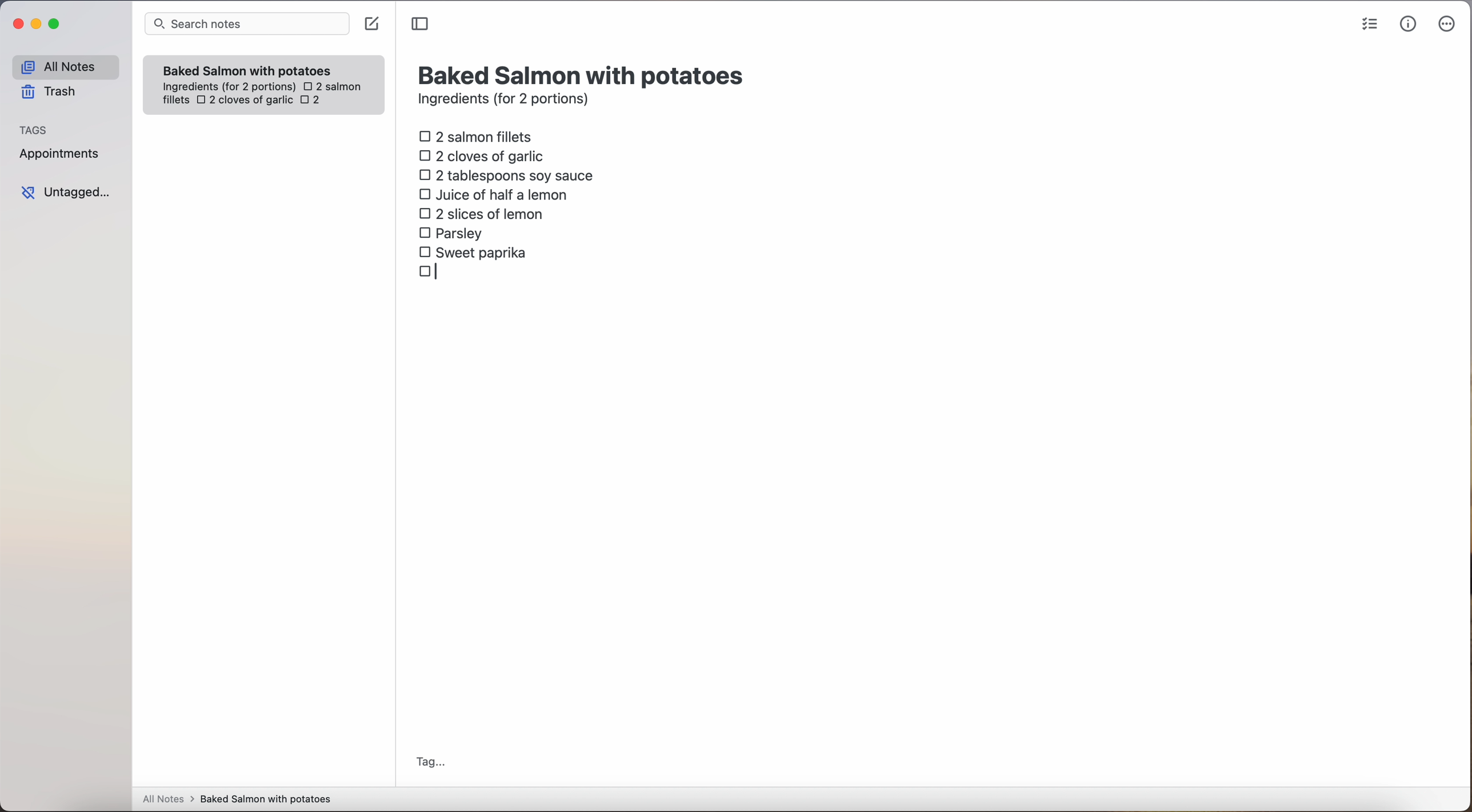 Image resolution: width=1472 pixels, height=812 pixels. Describe the element at coordinates (421, 25) in the screenshot. I see `toggle sidebar` at that location.